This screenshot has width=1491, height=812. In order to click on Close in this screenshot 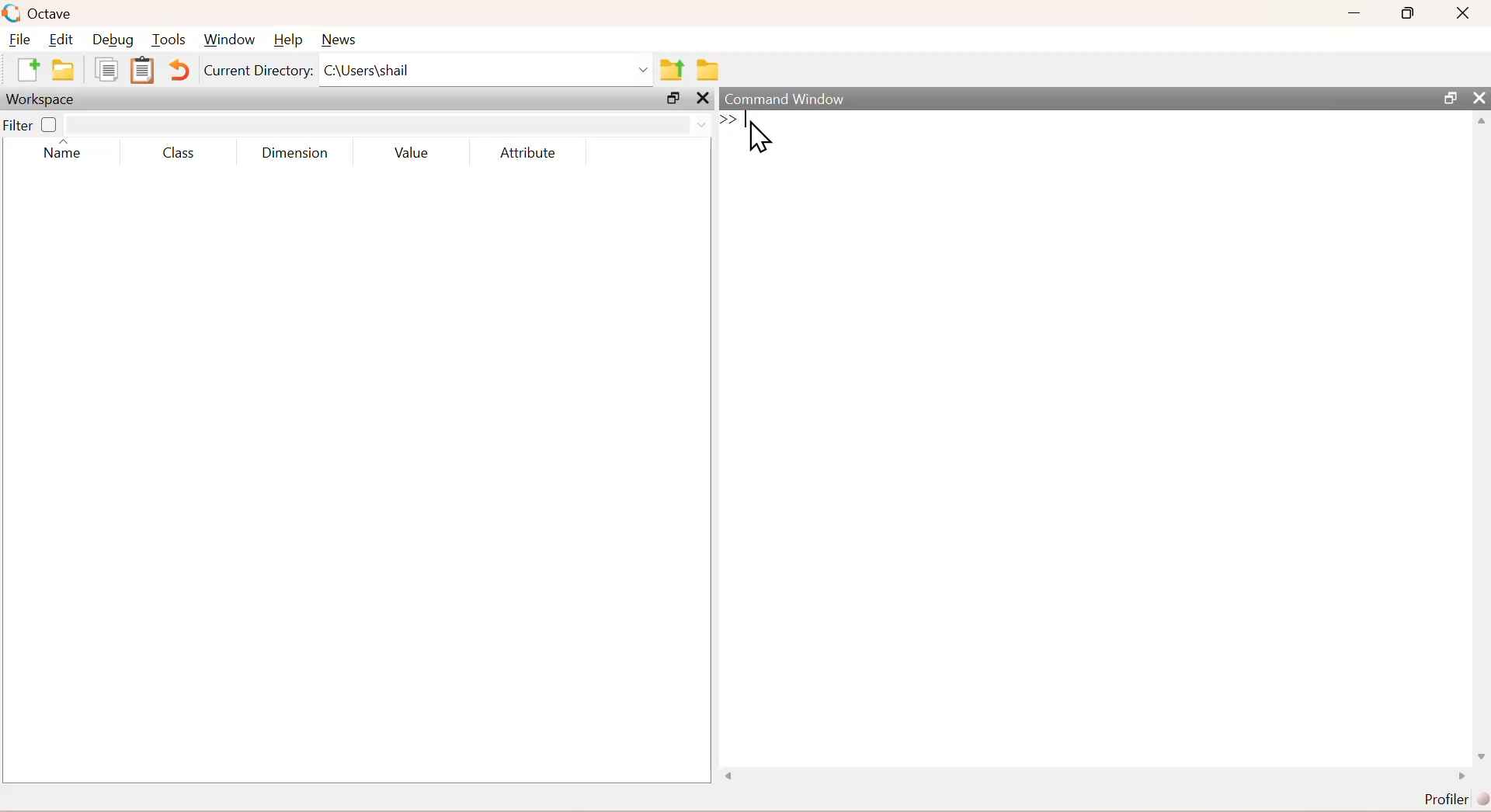, I will do `click(1477, 95)`.